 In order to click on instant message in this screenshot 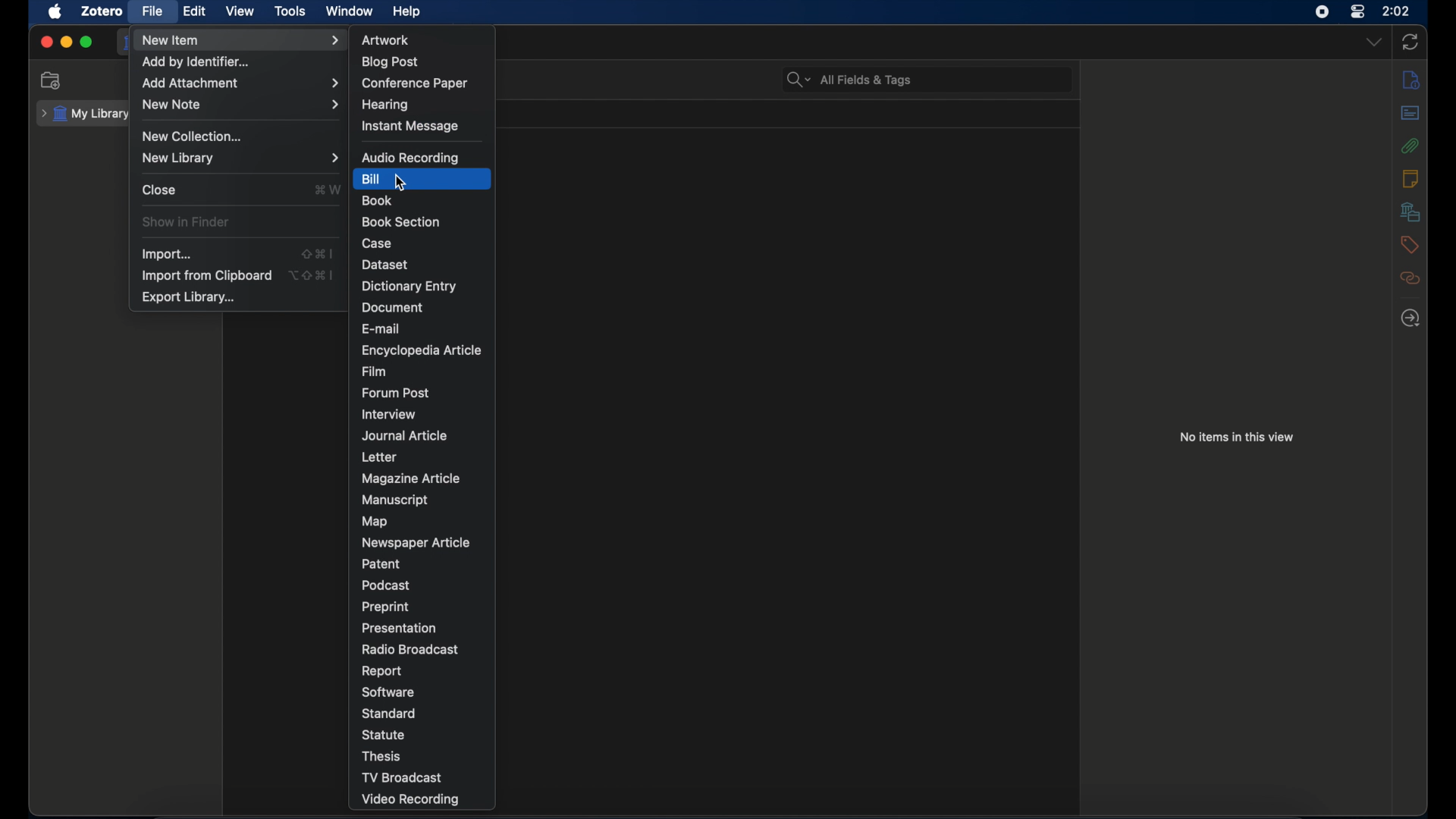, I will do `click(409, 127)`.